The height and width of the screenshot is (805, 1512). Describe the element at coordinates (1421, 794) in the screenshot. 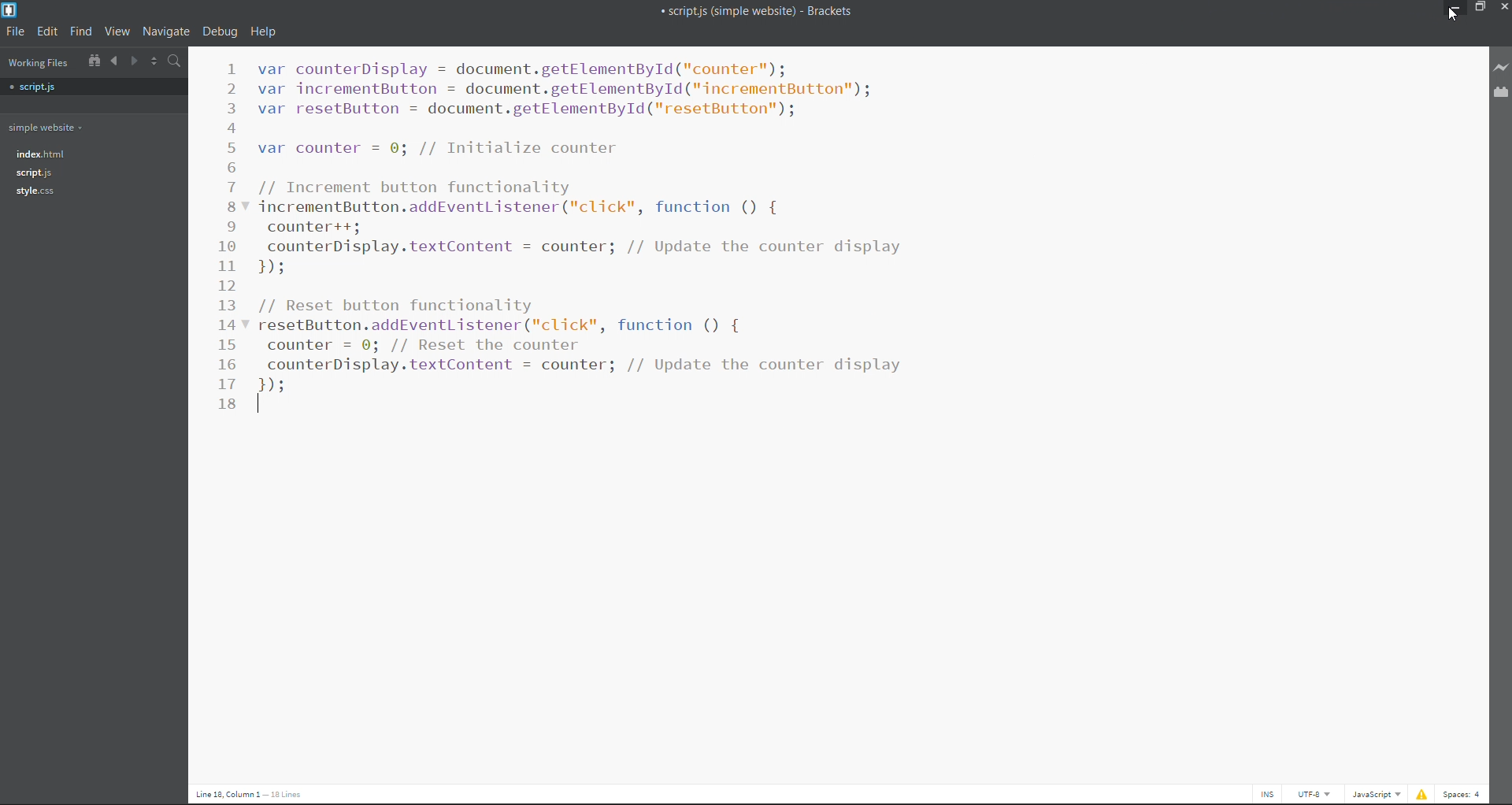

I see `show errors` at that location.